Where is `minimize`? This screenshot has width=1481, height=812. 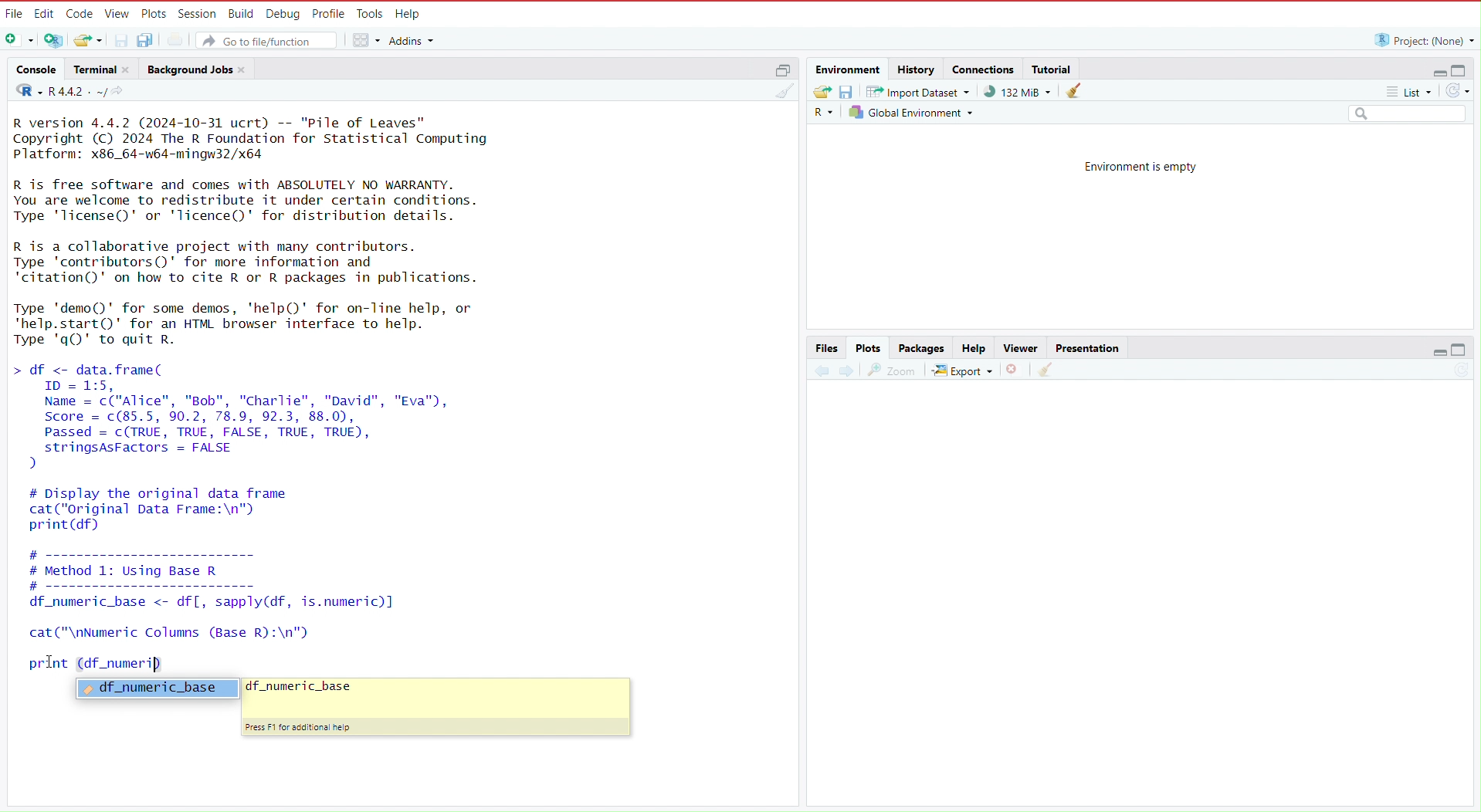
minimize is located at coordinates (1435, 69).